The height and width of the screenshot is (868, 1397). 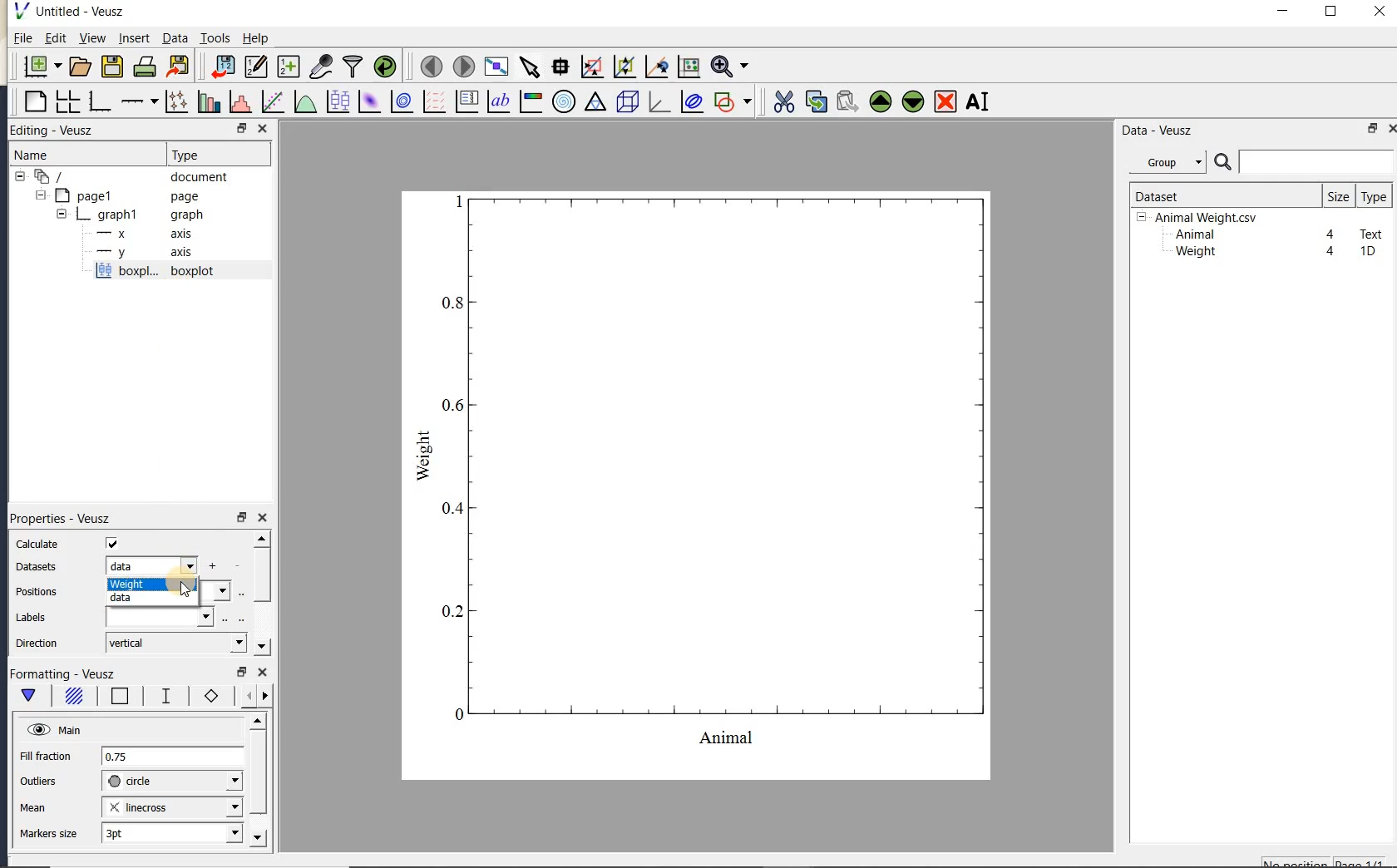 I want to click on Main, so click(x=54, y=728).